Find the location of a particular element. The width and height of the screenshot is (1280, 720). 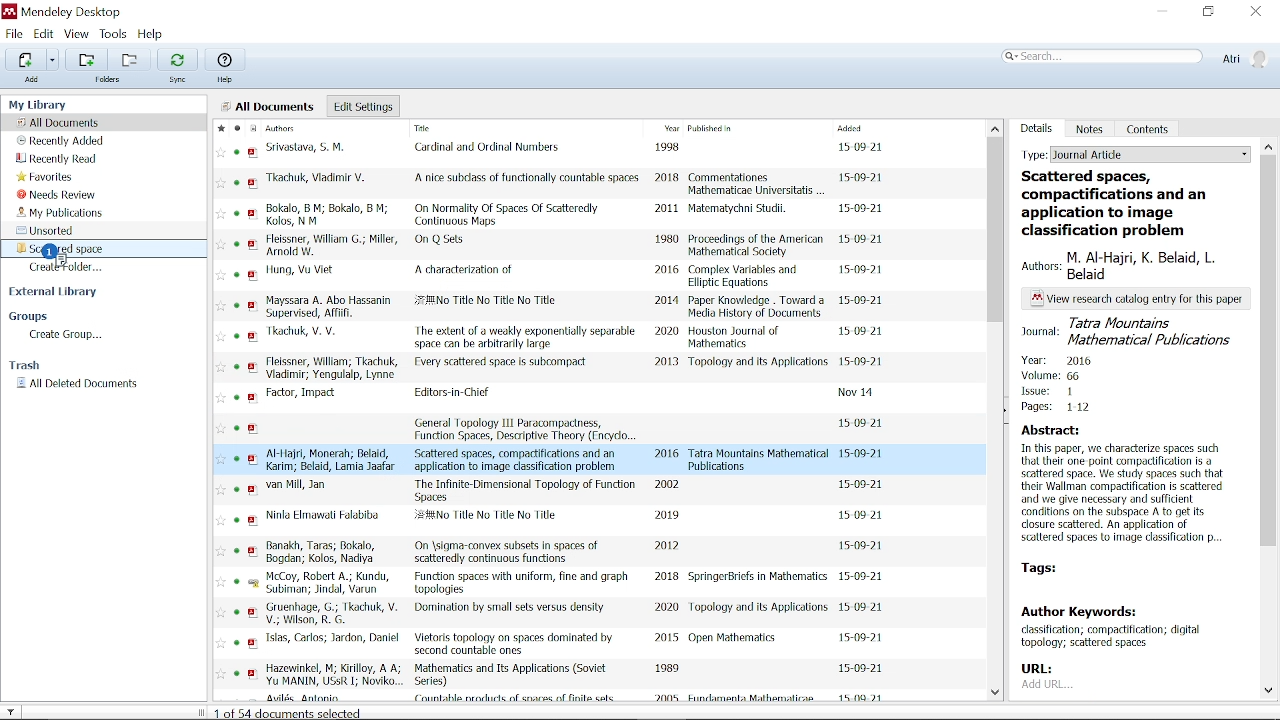

All deleted documents is located at coordinates (78, 384).